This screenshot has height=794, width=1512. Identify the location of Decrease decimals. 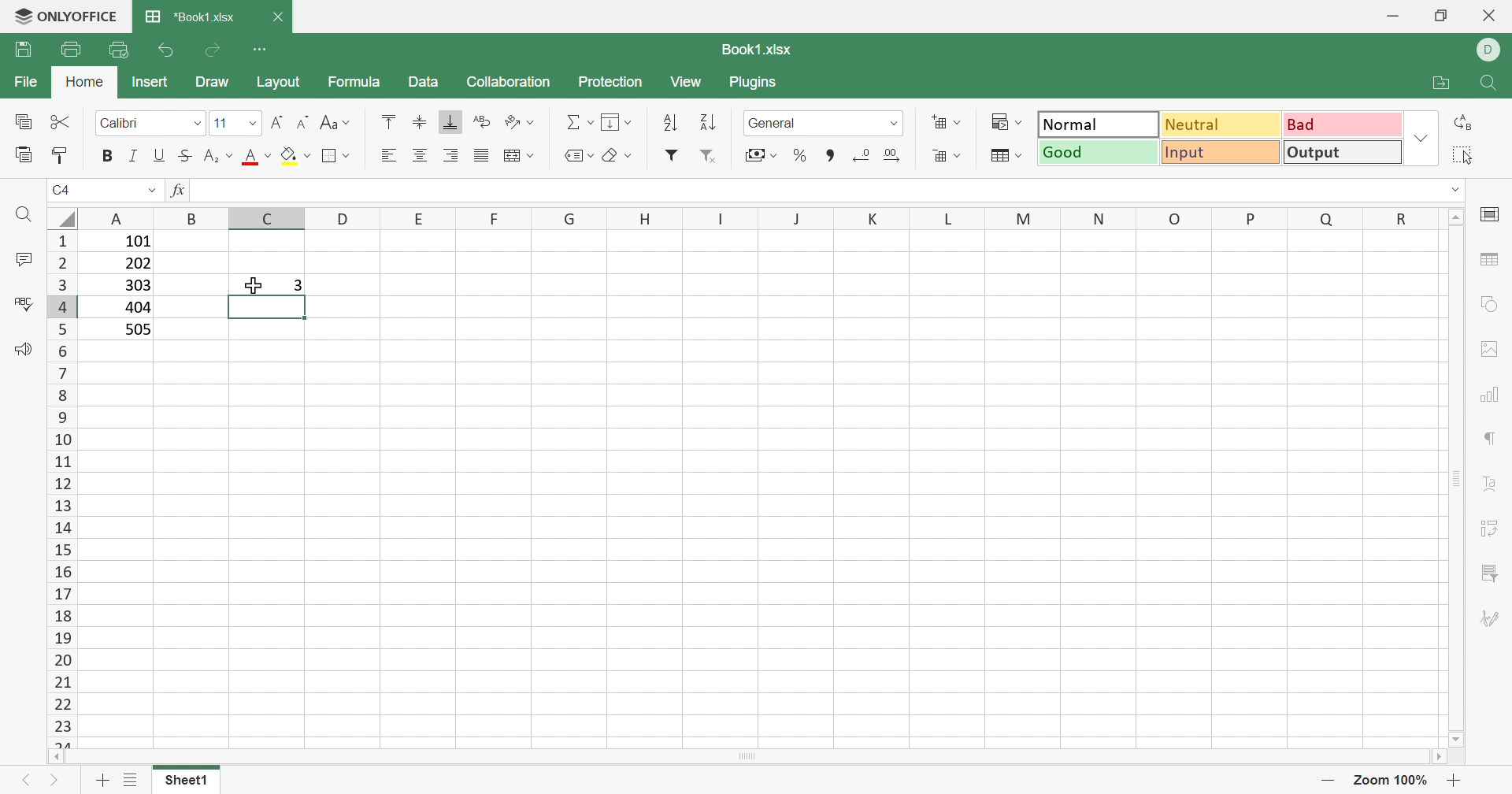
(865, 155).